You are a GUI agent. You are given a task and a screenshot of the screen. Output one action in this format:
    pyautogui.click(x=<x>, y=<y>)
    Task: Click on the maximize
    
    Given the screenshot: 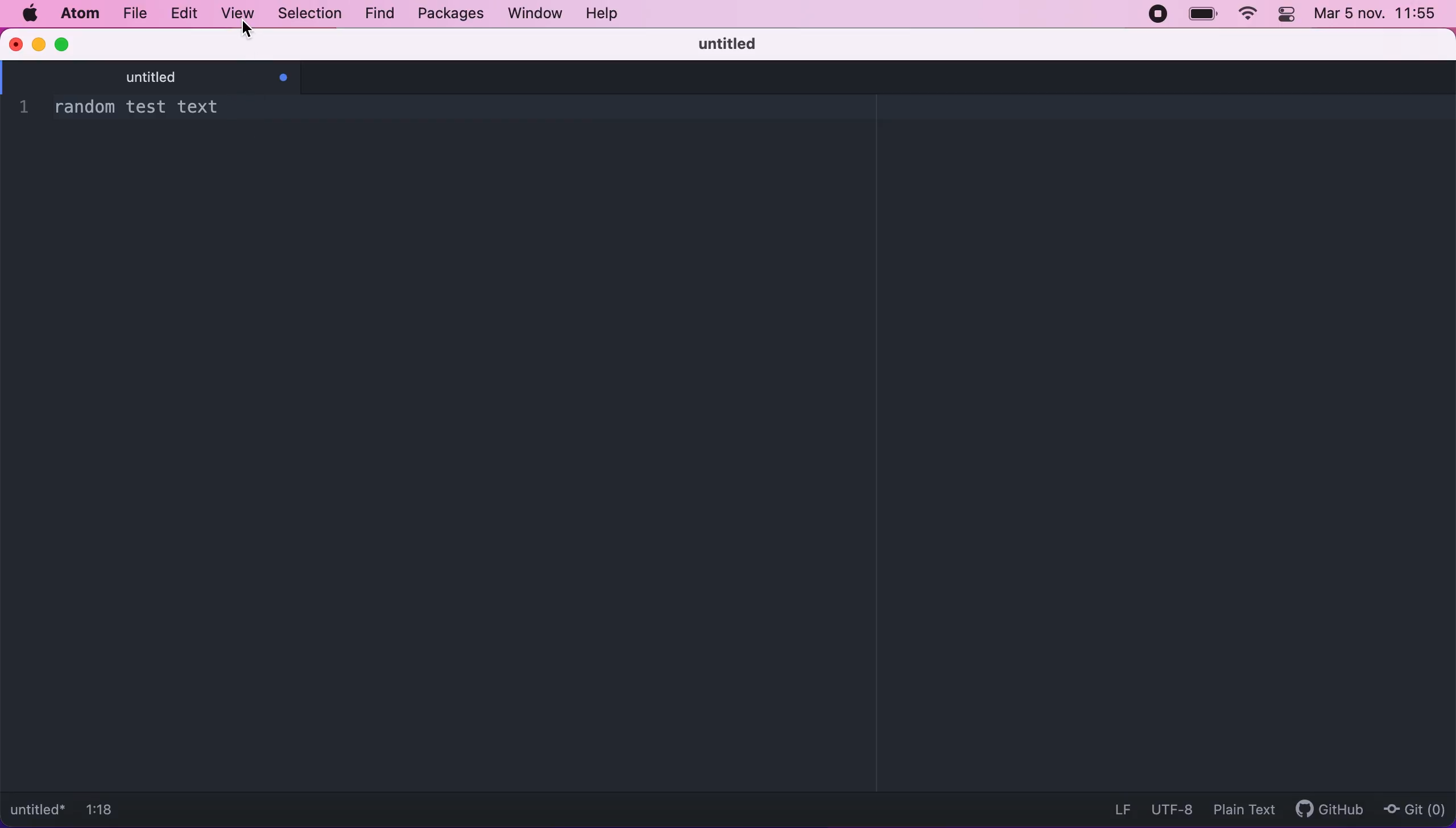 What is the action you would take?
    pyautogui.click(x=71, y=46)
    